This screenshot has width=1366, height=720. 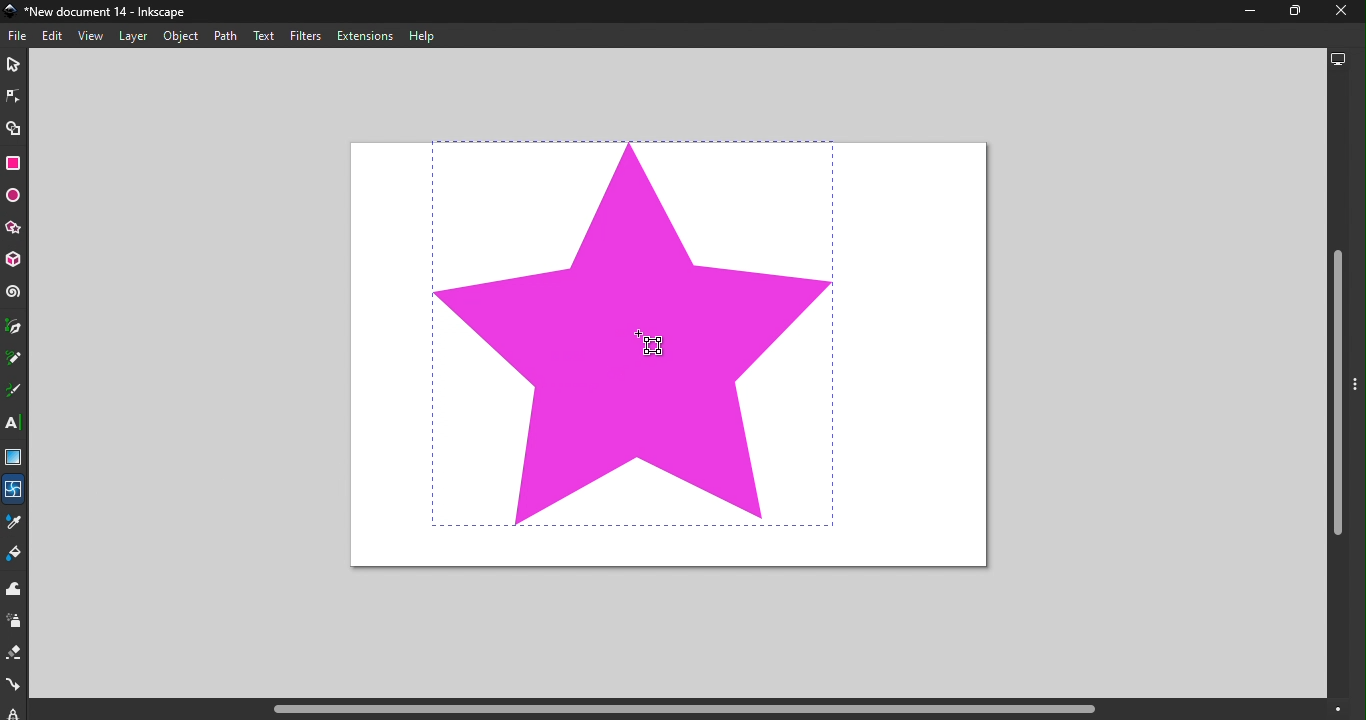 What do you see at coordinates (55, 36) in the screenshot?
I see `Edit` at bounding box center [55, 36].